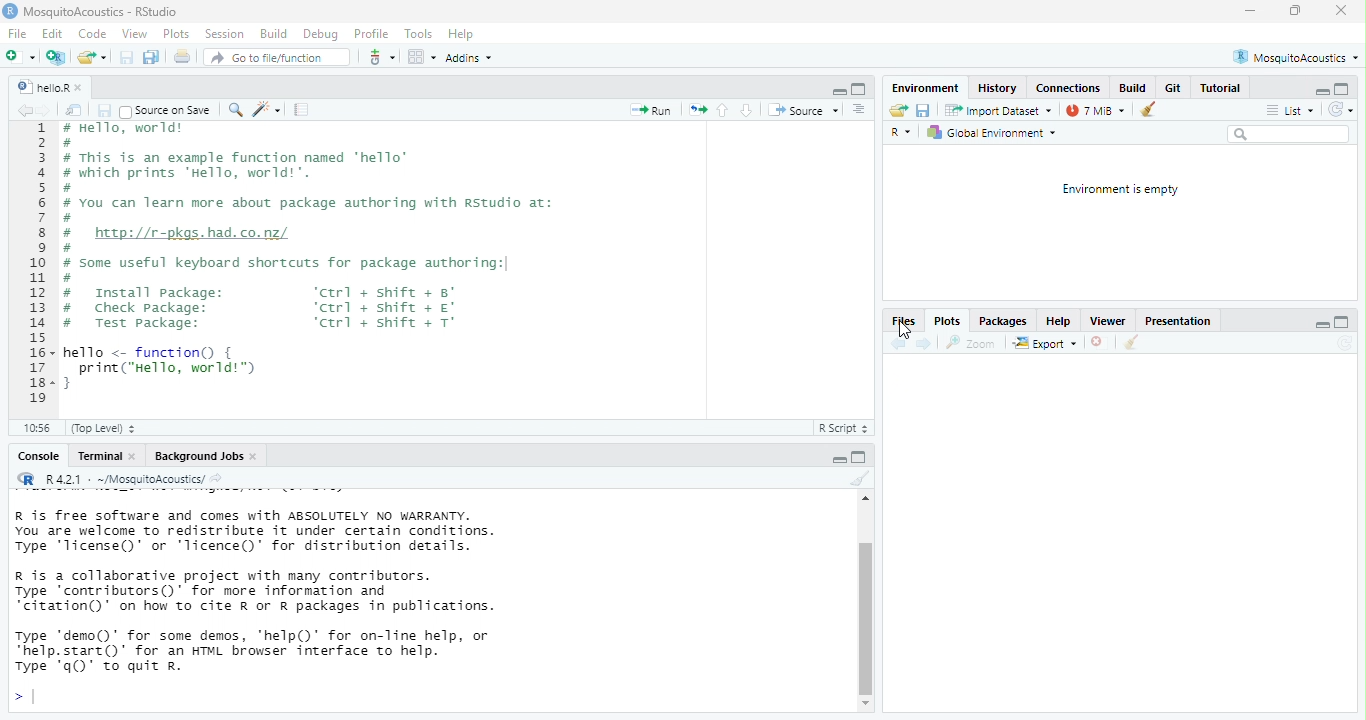 Image resolution: width=1366 pixels, height=720 pixels. Describe the element at coordinates (1296, 11) in the screenshot. I see `maximize` at that location.